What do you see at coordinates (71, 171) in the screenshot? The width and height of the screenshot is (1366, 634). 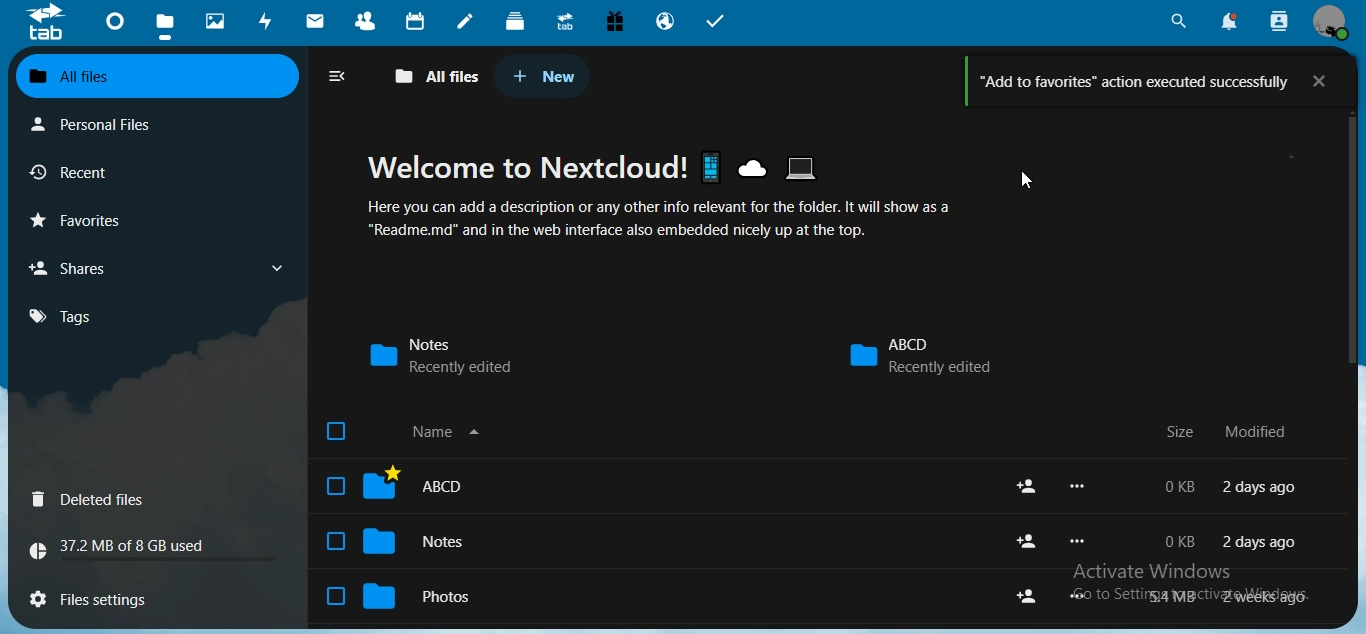 I see `recent` at bounding box center [71, 171].